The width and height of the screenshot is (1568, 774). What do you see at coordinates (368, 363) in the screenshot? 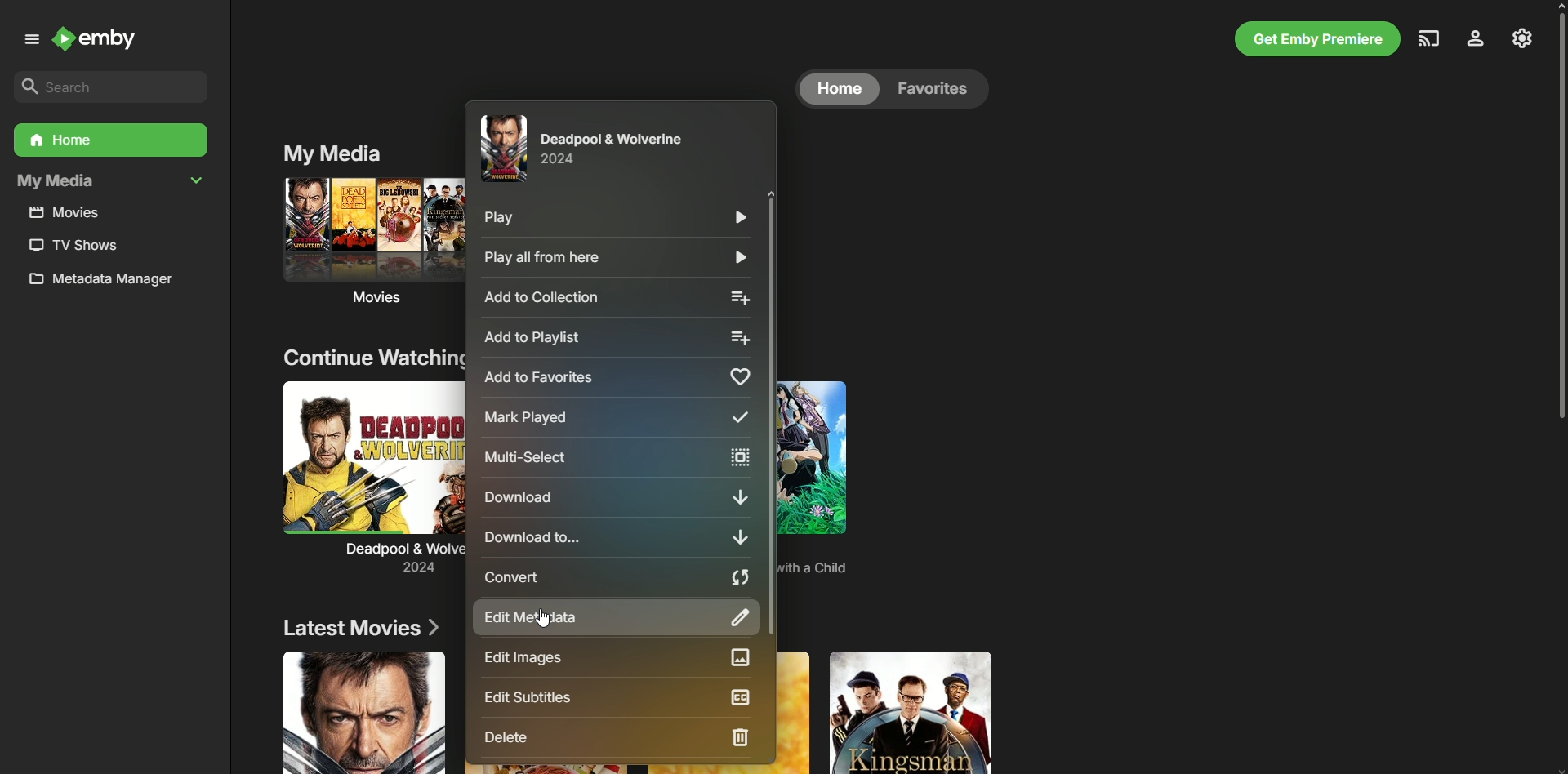
I see `Continue Watching` at bounding box center [368, 363].